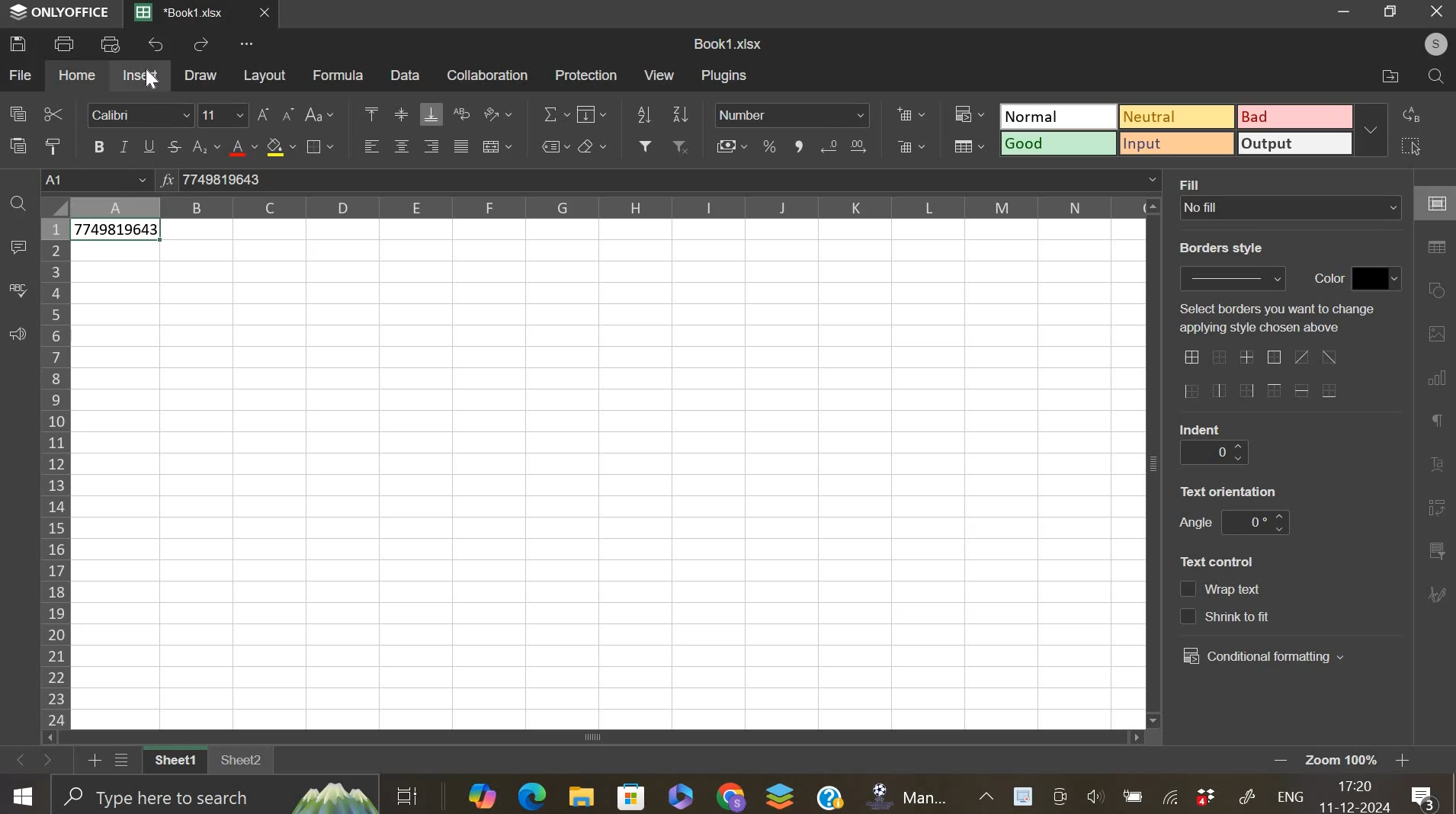  I want to click on scroll bar, so click(601, 738).